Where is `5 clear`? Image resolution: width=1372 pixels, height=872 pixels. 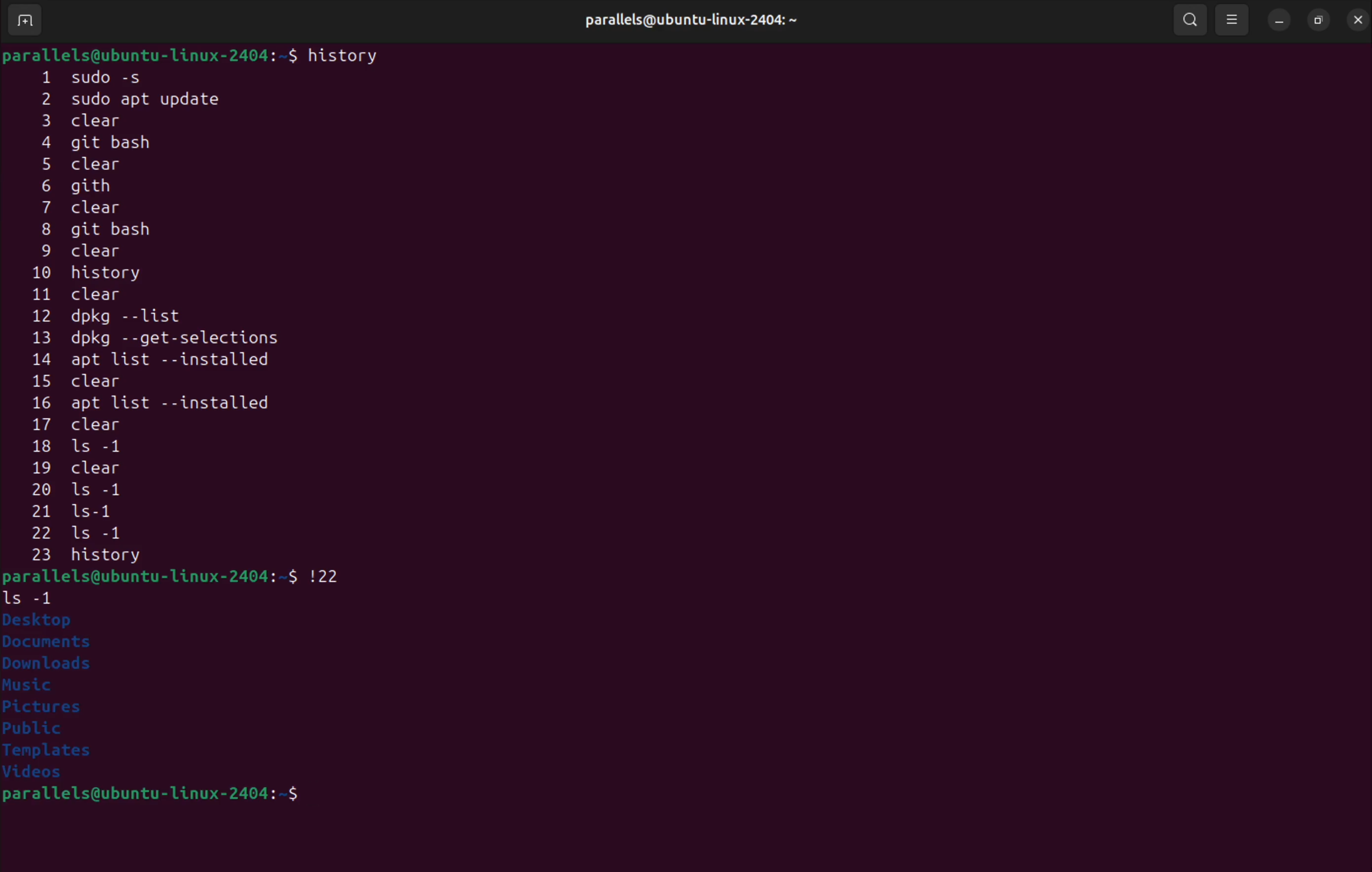 5 clear is located at coordinates (89, 165).